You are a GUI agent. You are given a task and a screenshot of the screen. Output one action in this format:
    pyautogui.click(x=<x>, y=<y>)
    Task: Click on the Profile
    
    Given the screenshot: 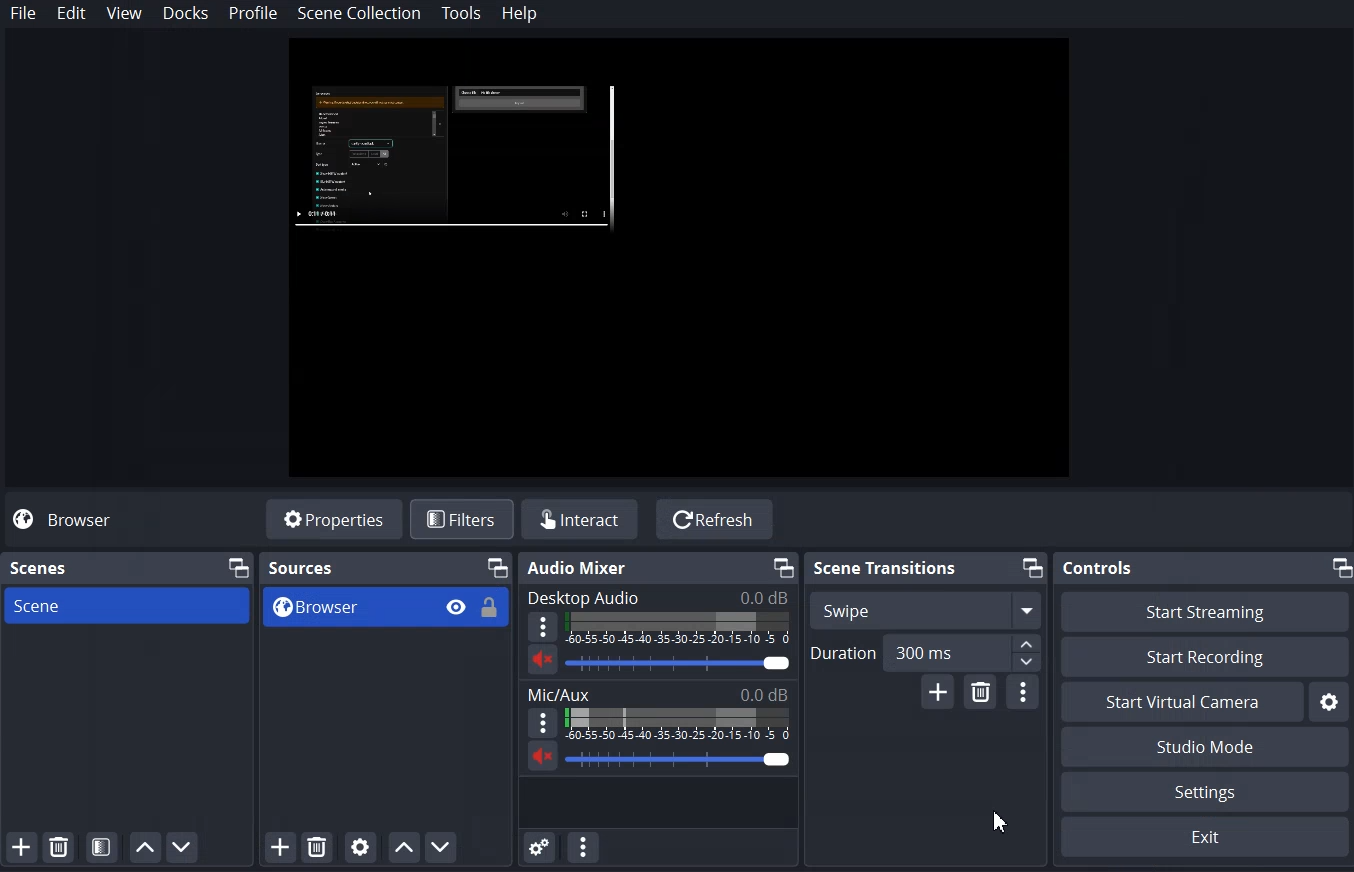 What is the action you would take?
    pyautogui.click(x=253, y=14)
    